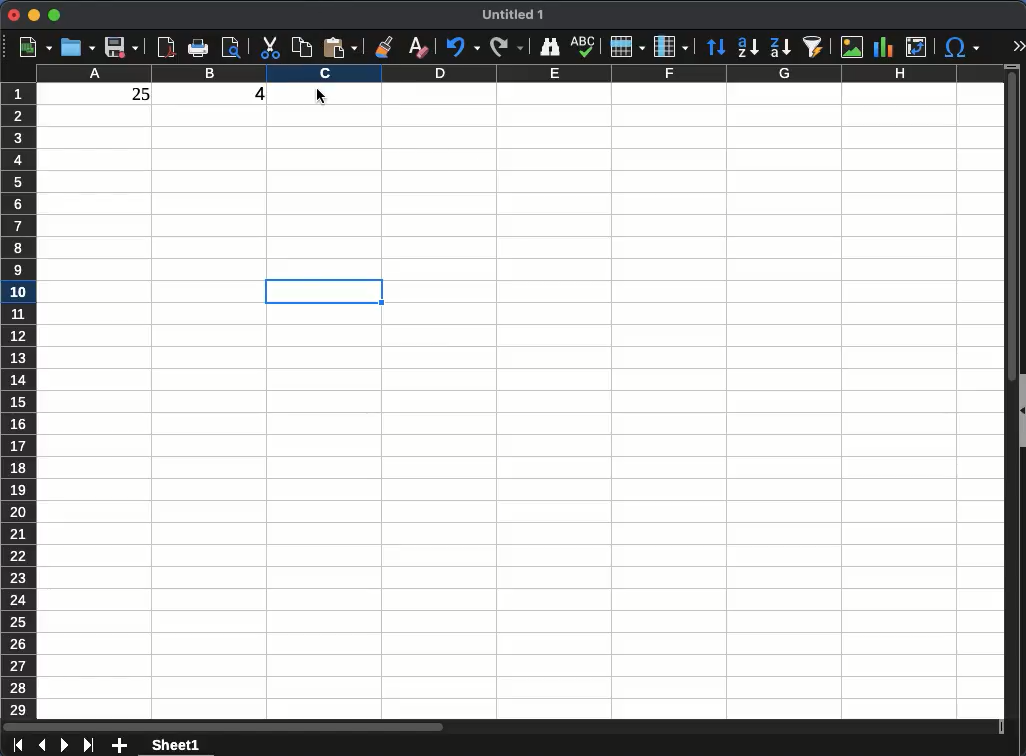 This screenshot has width=1026, height=756. I want to click on redo, so click(507, 48).